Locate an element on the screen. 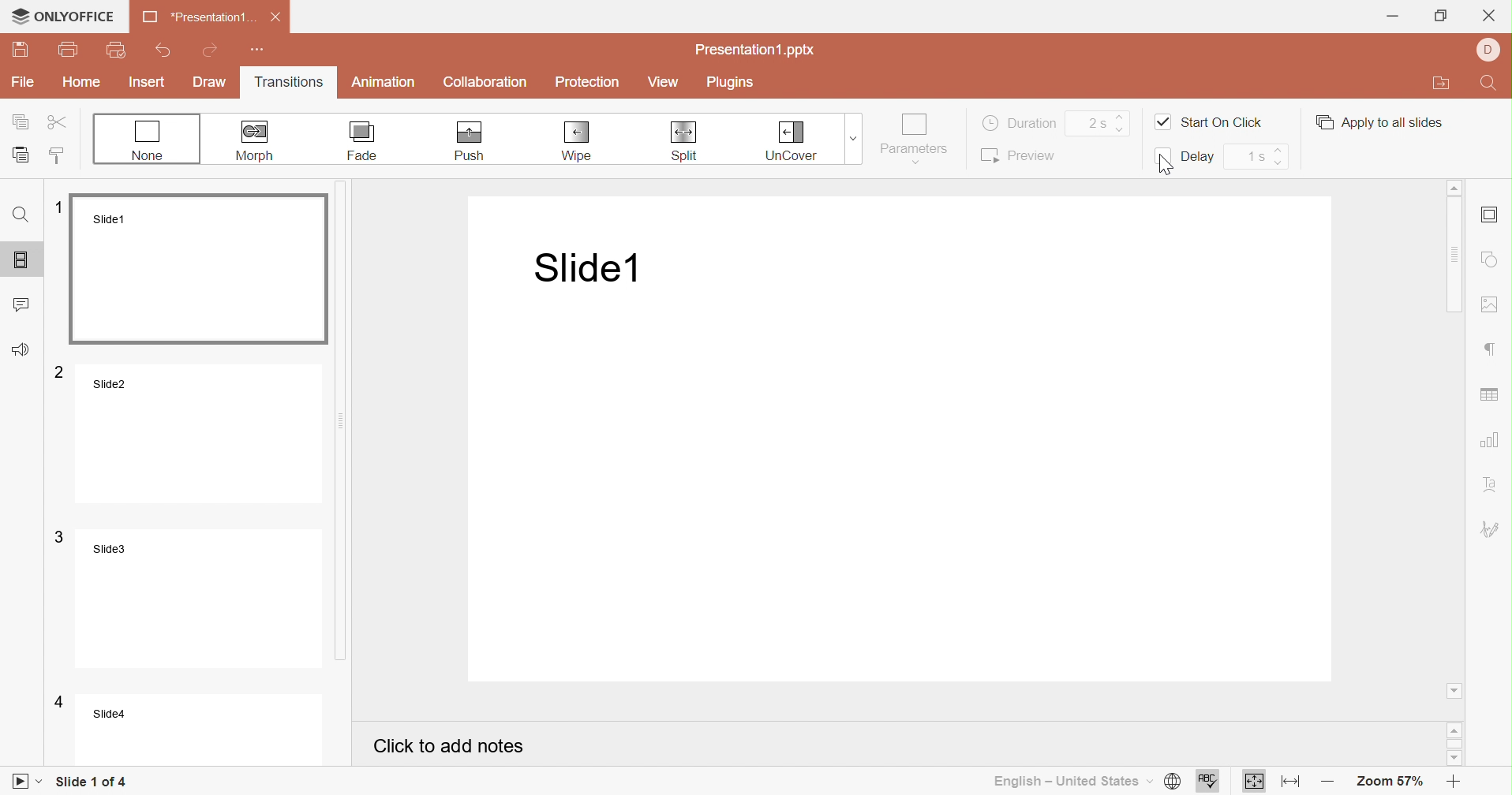  Print file is located at coordinates (68, 50).